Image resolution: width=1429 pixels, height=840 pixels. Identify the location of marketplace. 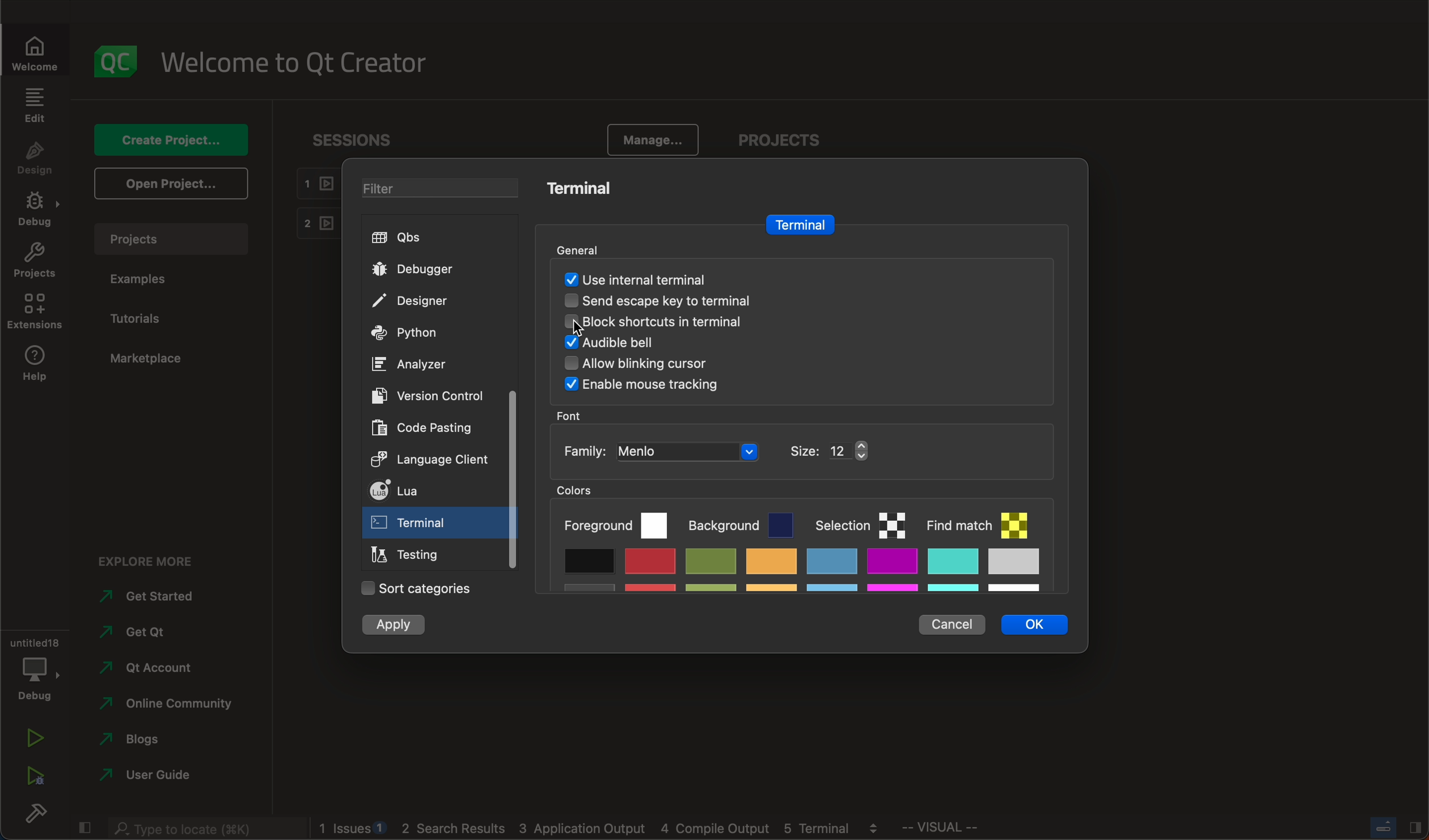
(152, 360).